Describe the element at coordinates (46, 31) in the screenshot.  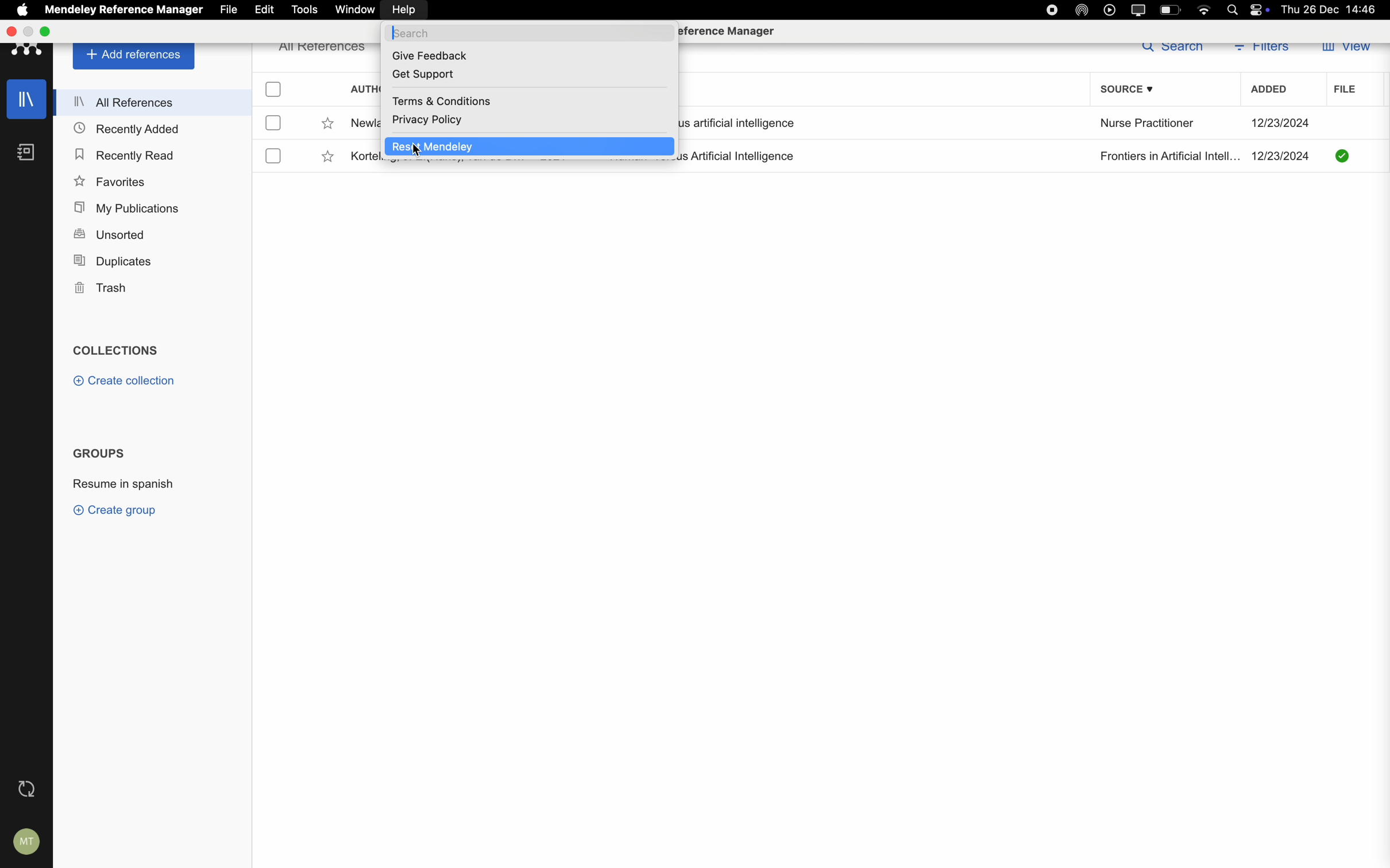
I see `maximize` at that location.